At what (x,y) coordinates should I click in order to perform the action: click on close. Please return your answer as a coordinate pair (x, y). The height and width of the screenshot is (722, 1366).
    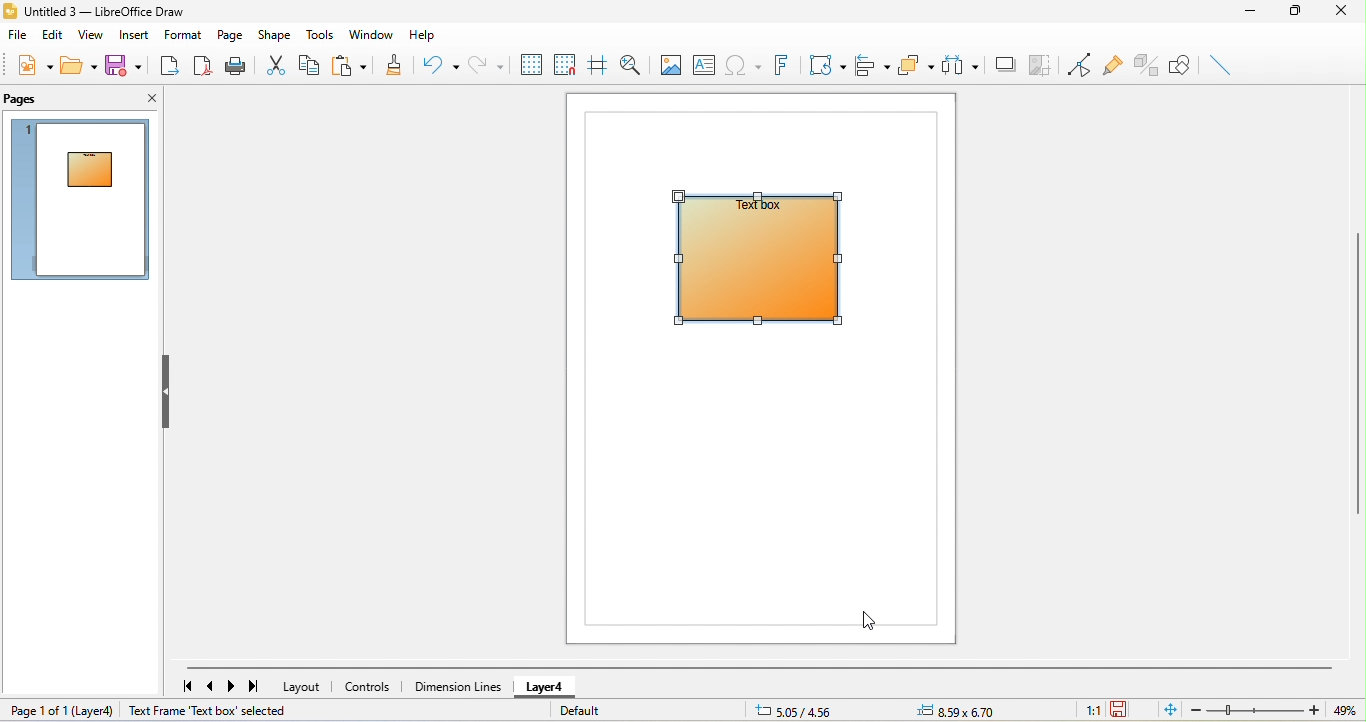
    Looking at the image, I should click on (1345, 11).